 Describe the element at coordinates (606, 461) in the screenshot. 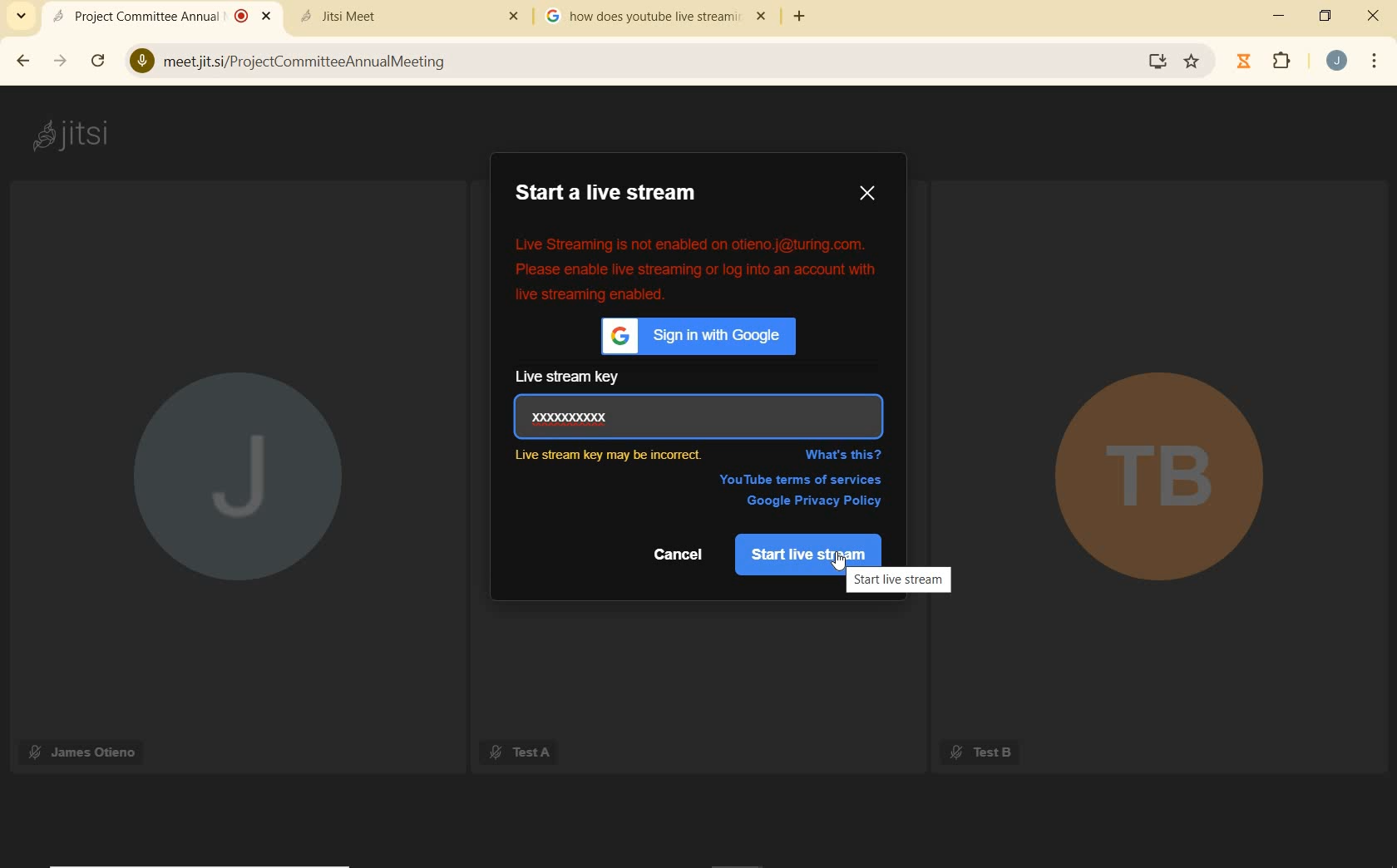

I see `Incorrect live key` at that location.